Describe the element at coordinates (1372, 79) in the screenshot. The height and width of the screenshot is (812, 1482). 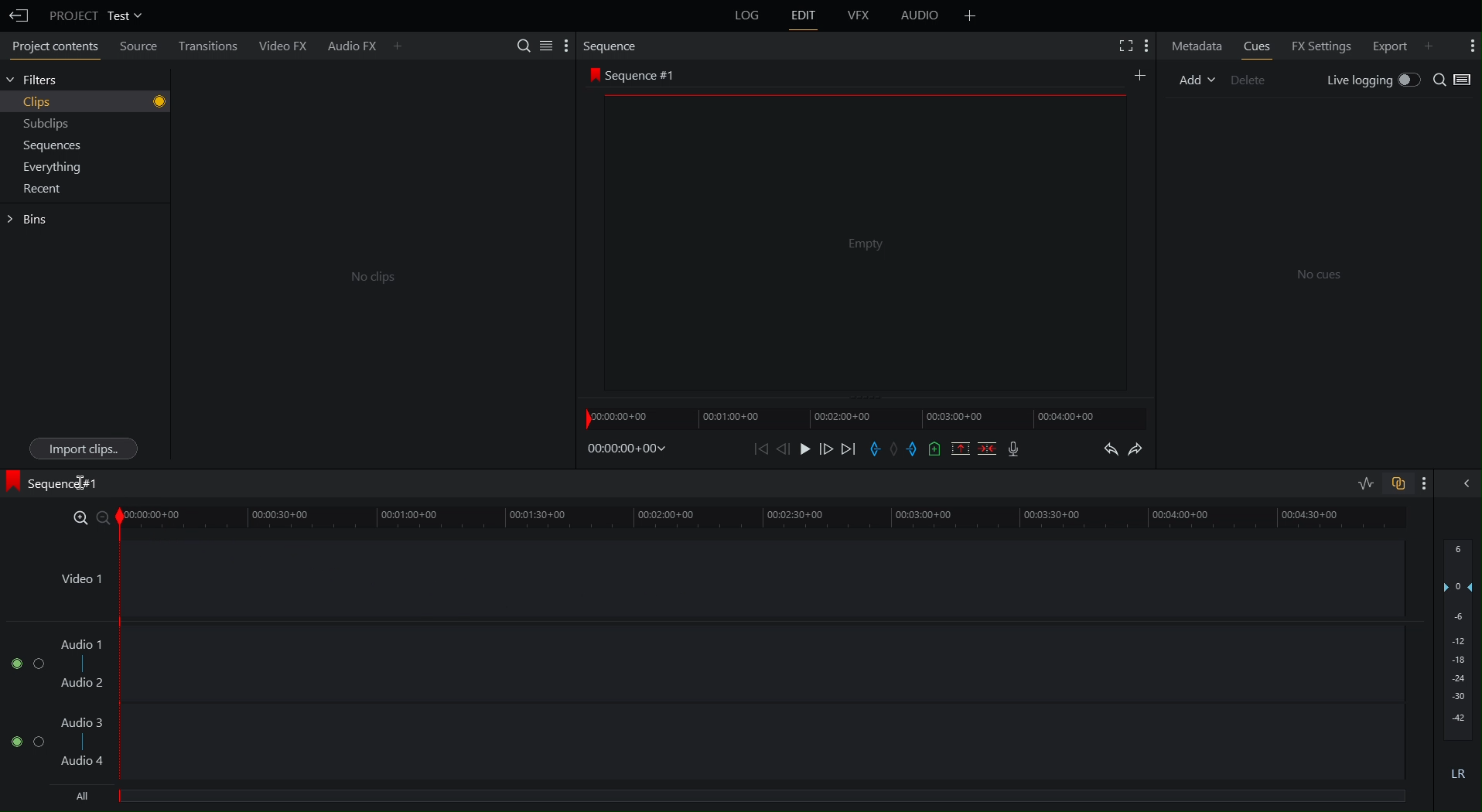
I see `Live logging` at that location.